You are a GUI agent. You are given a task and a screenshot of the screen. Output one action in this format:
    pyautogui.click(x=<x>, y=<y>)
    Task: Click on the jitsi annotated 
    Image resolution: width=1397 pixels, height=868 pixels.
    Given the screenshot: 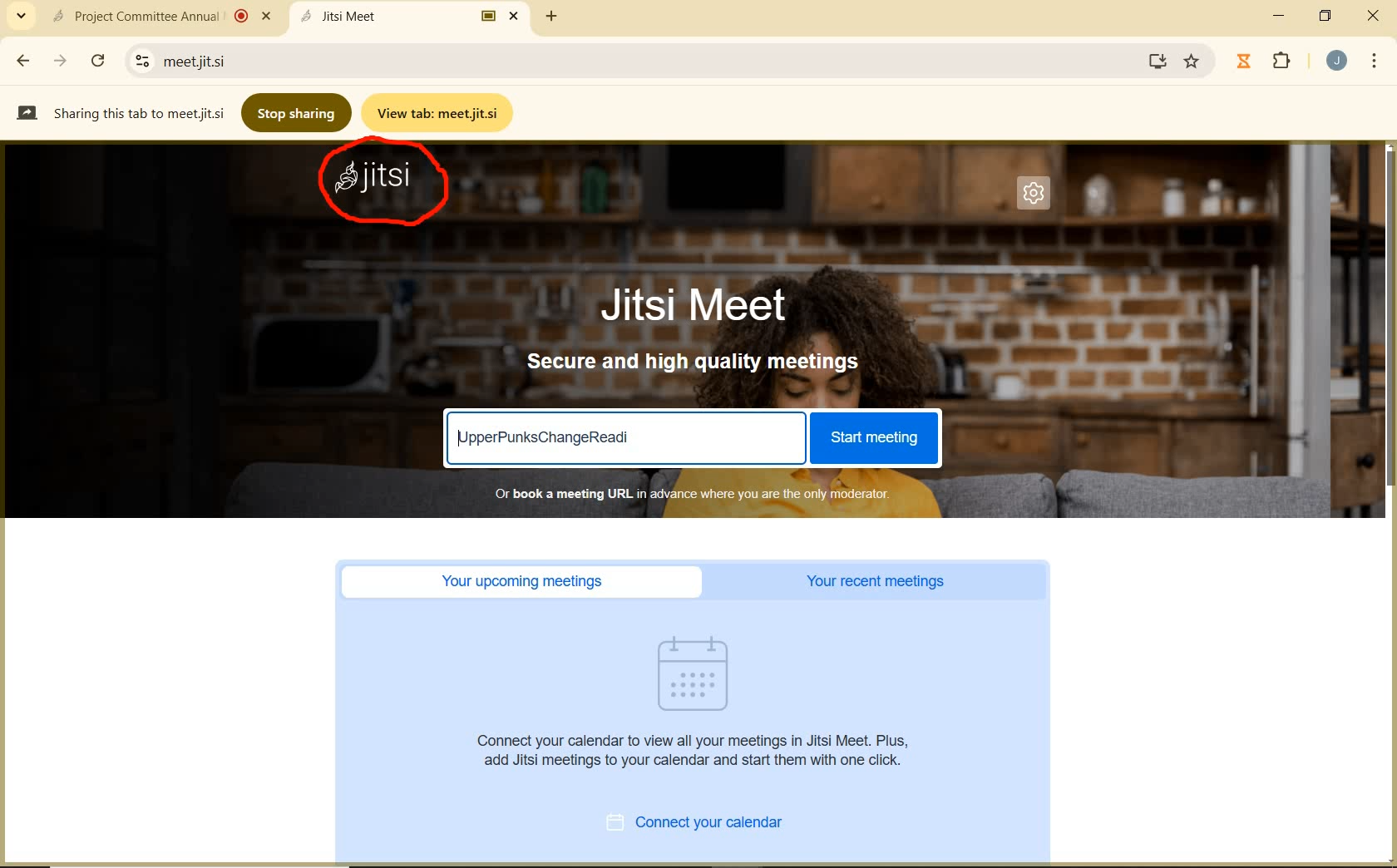 What is the action you would take?
    pyautogui.click(x=388, y=187)
    